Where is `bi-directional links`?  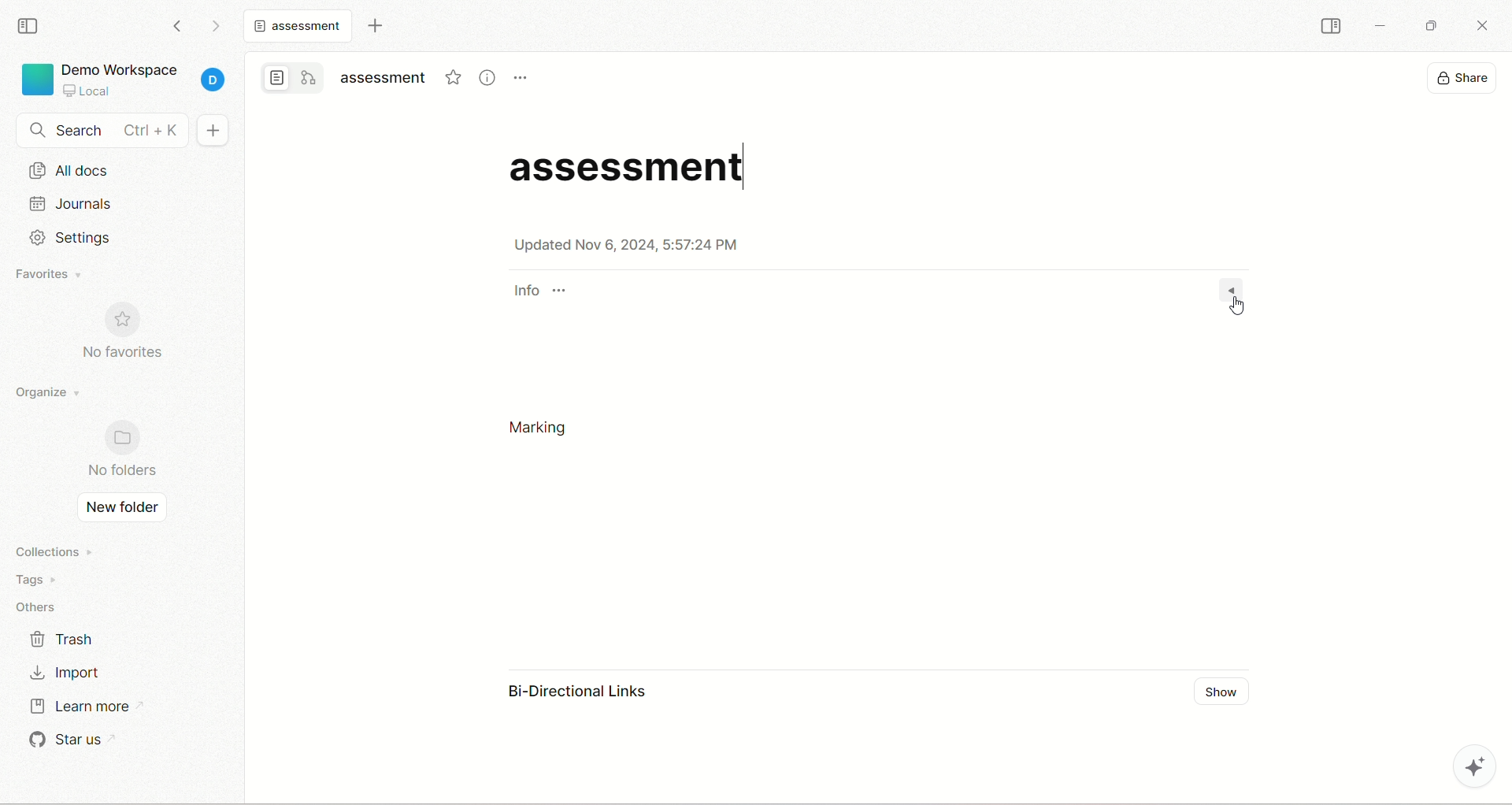
bi-directional links is located at coordinates (580, 696).